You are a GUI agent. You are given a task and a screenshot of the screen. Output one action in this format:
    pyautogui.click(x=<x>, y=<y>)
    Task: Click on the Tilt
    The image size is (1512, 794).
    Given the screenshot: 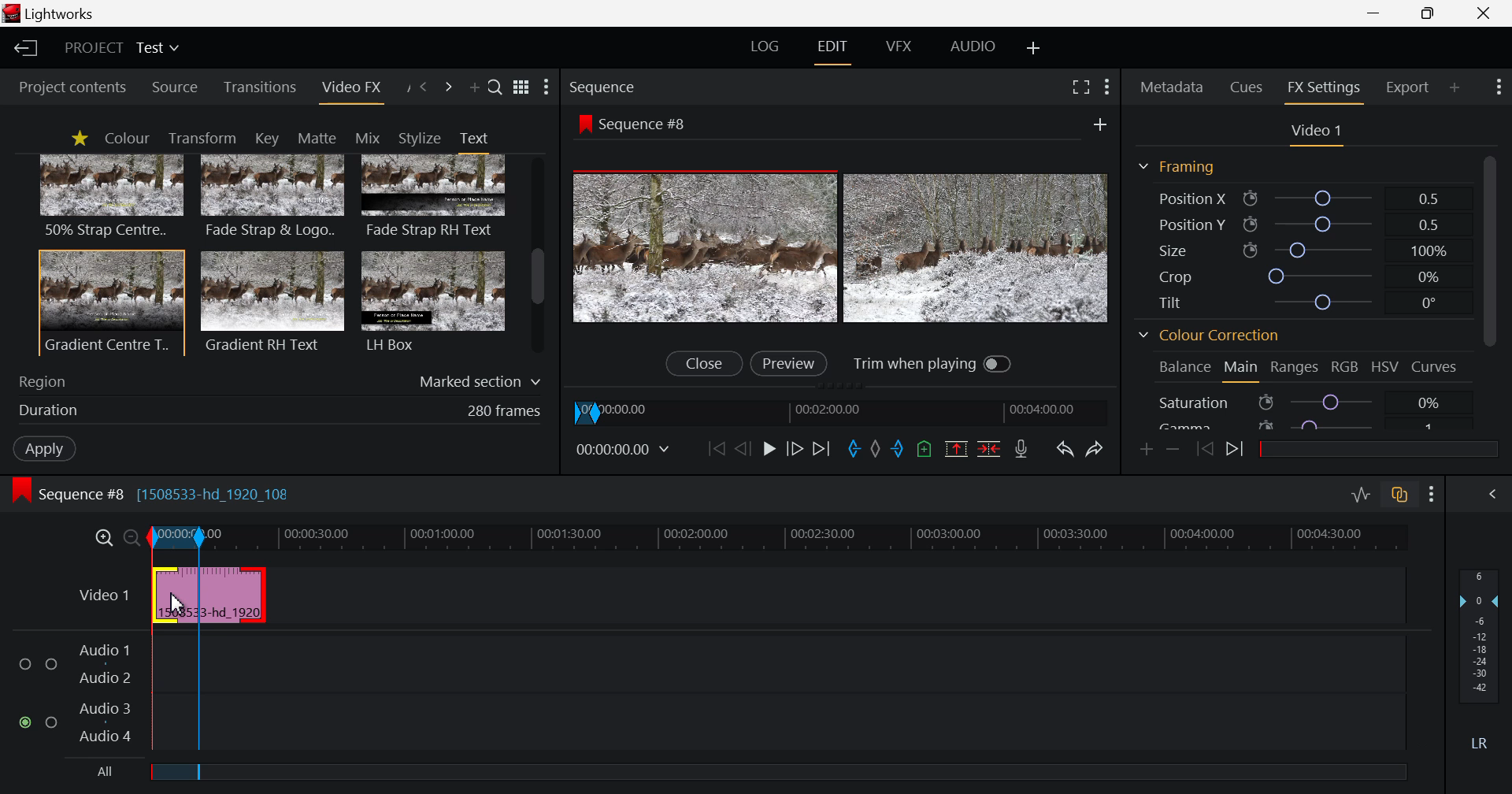 What is the action you would take?
    pyautogui.click(x=1304, y=302)
    